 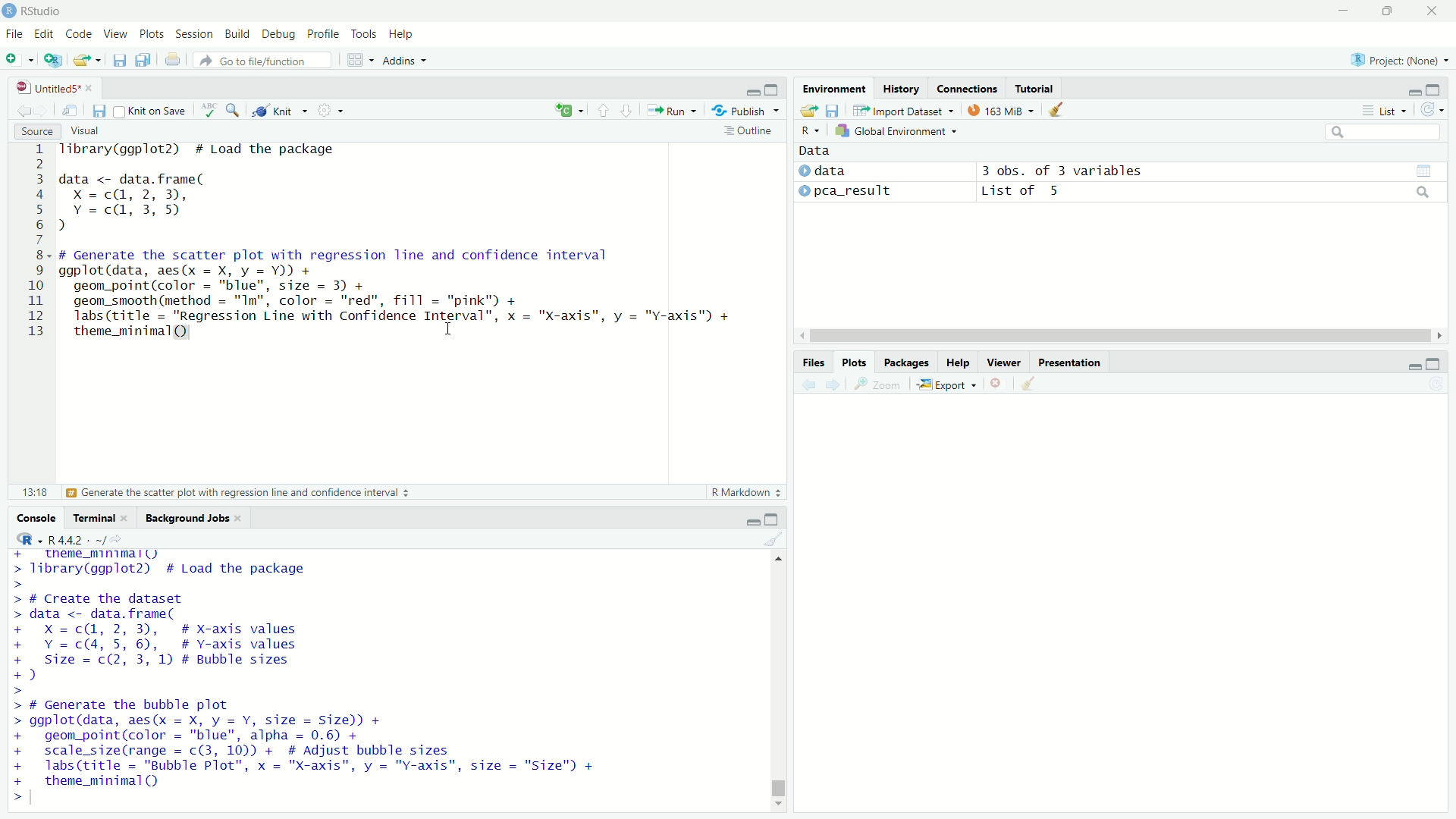 What do you see at coordinates (208, 110) in the screenshot?
I see `Check spelling in the document` at bounding box center [208, 110].